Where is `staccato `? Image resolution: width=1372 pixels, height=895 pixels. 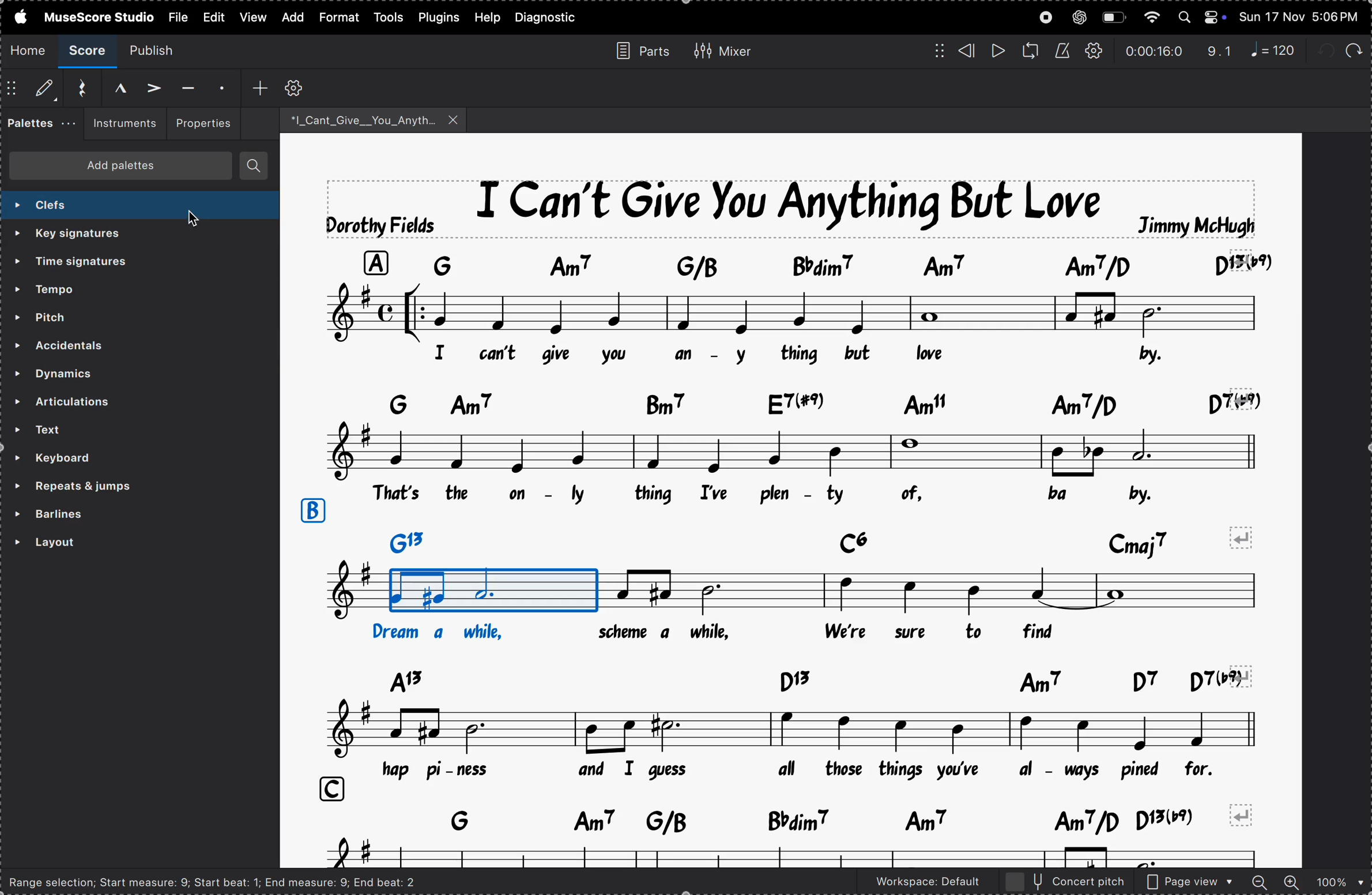 staccato  is located at coordinates (220, 86).